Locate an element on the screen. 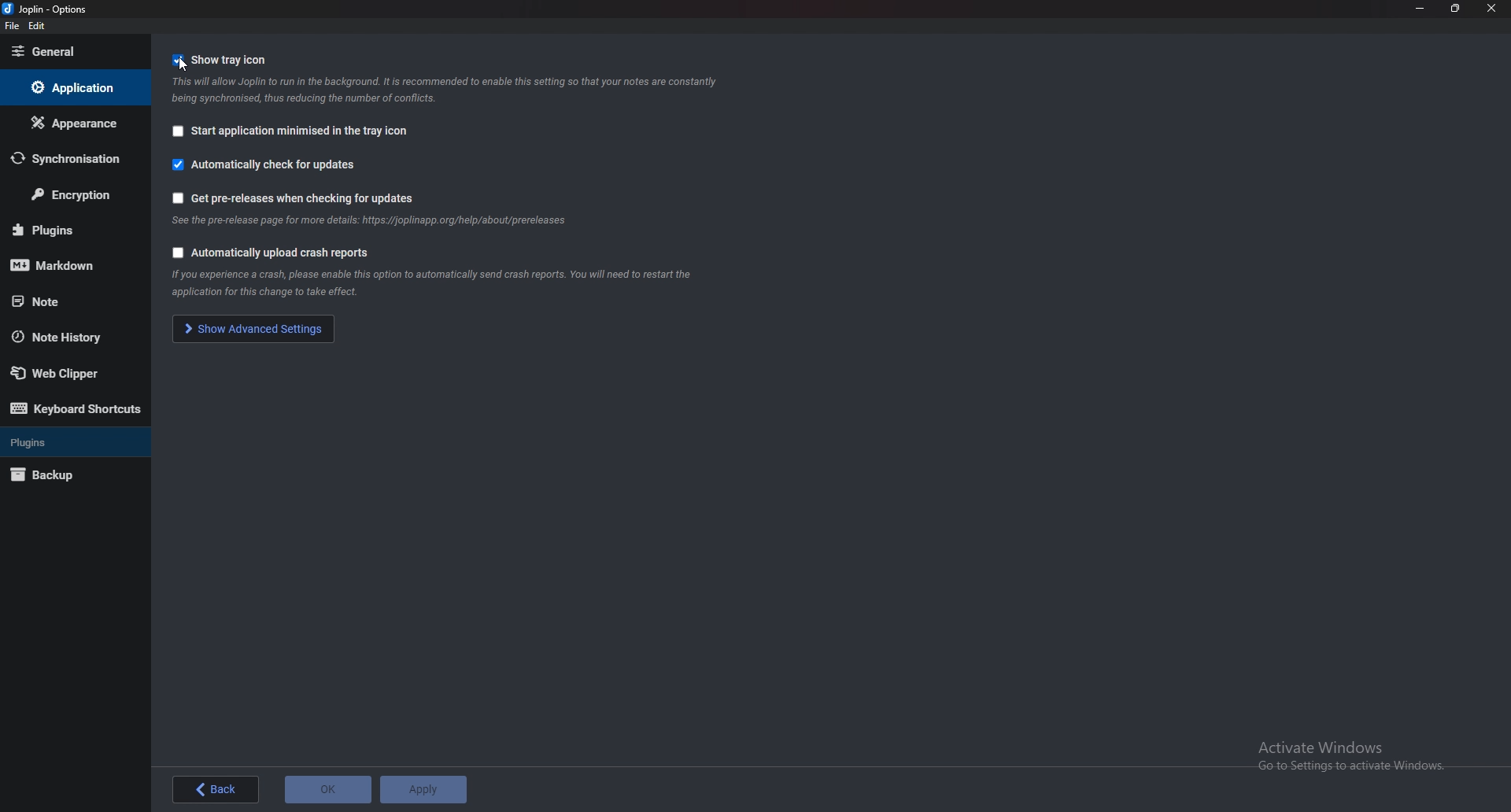 The width and height of the screenshot is (1511, 812). Get pre releases when check is located at coordinates (307, 198).